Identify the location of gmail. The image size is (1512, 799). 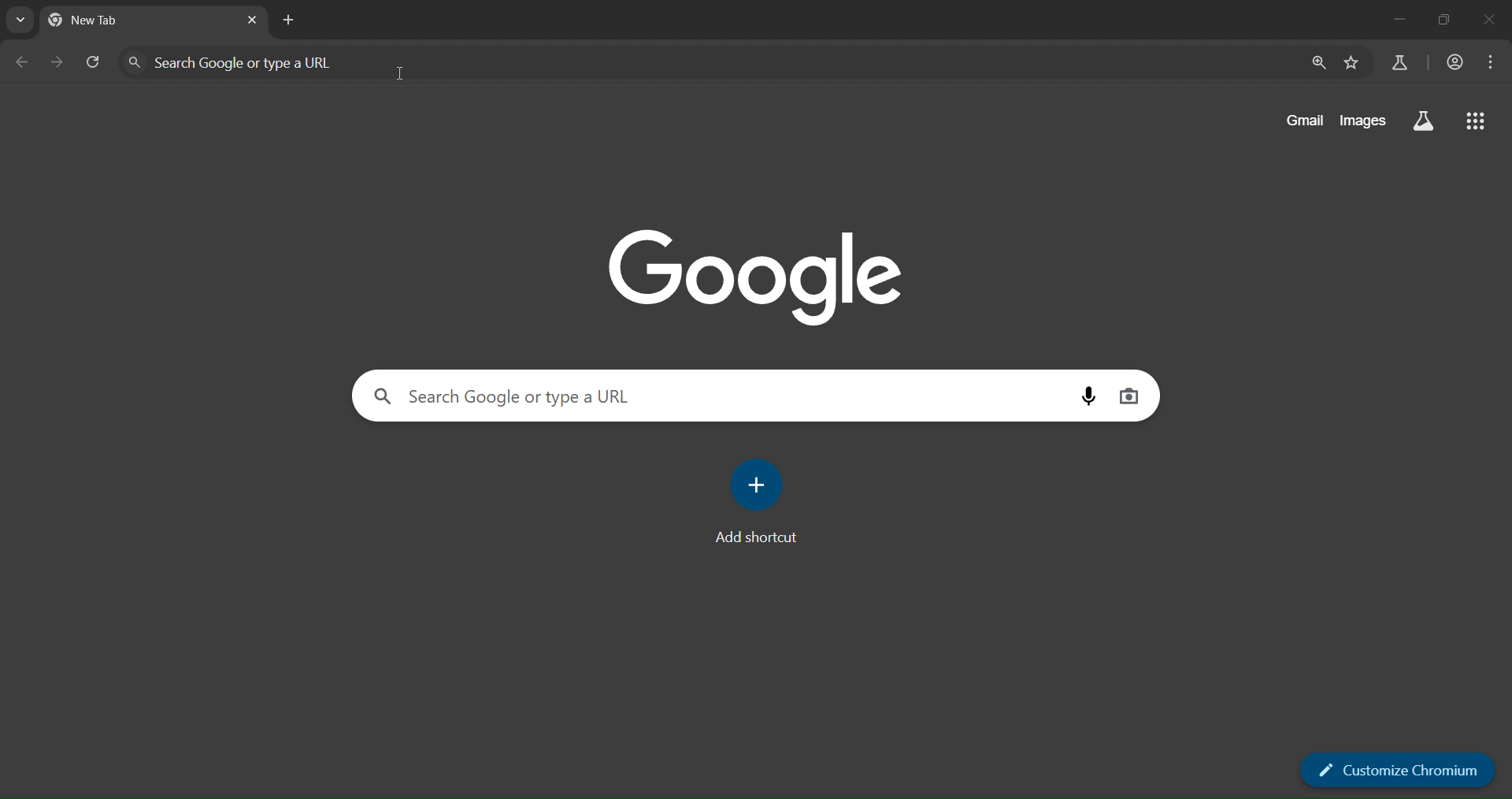
(1306, 121).